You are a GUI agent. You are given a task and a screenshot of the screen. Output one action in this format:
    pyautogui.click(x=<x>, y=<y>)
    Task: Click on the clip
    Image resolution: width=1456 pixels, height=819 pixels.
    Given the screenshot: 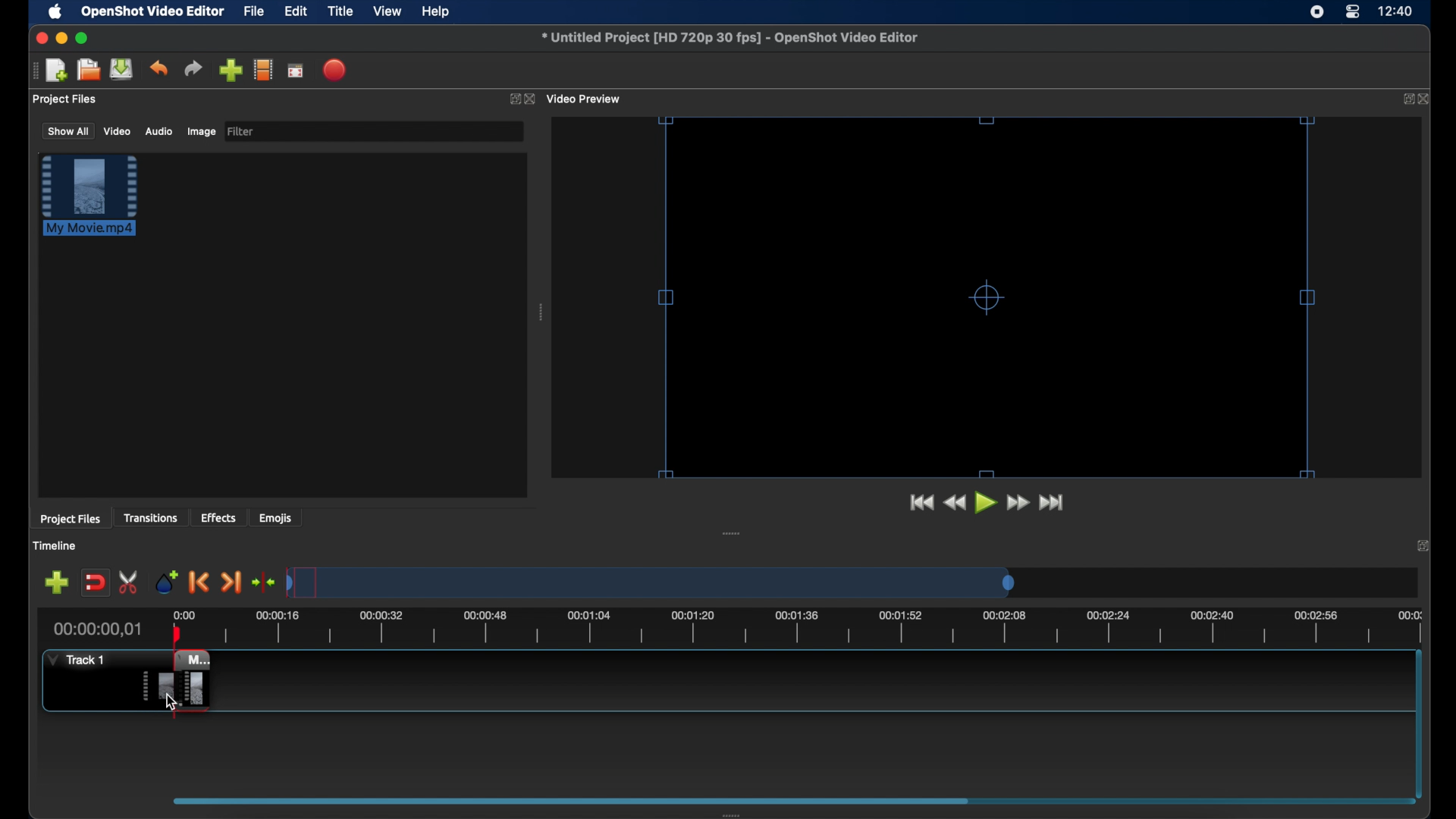 What is the action you would take?
    pyautogui.click(x=177, y=683)
    